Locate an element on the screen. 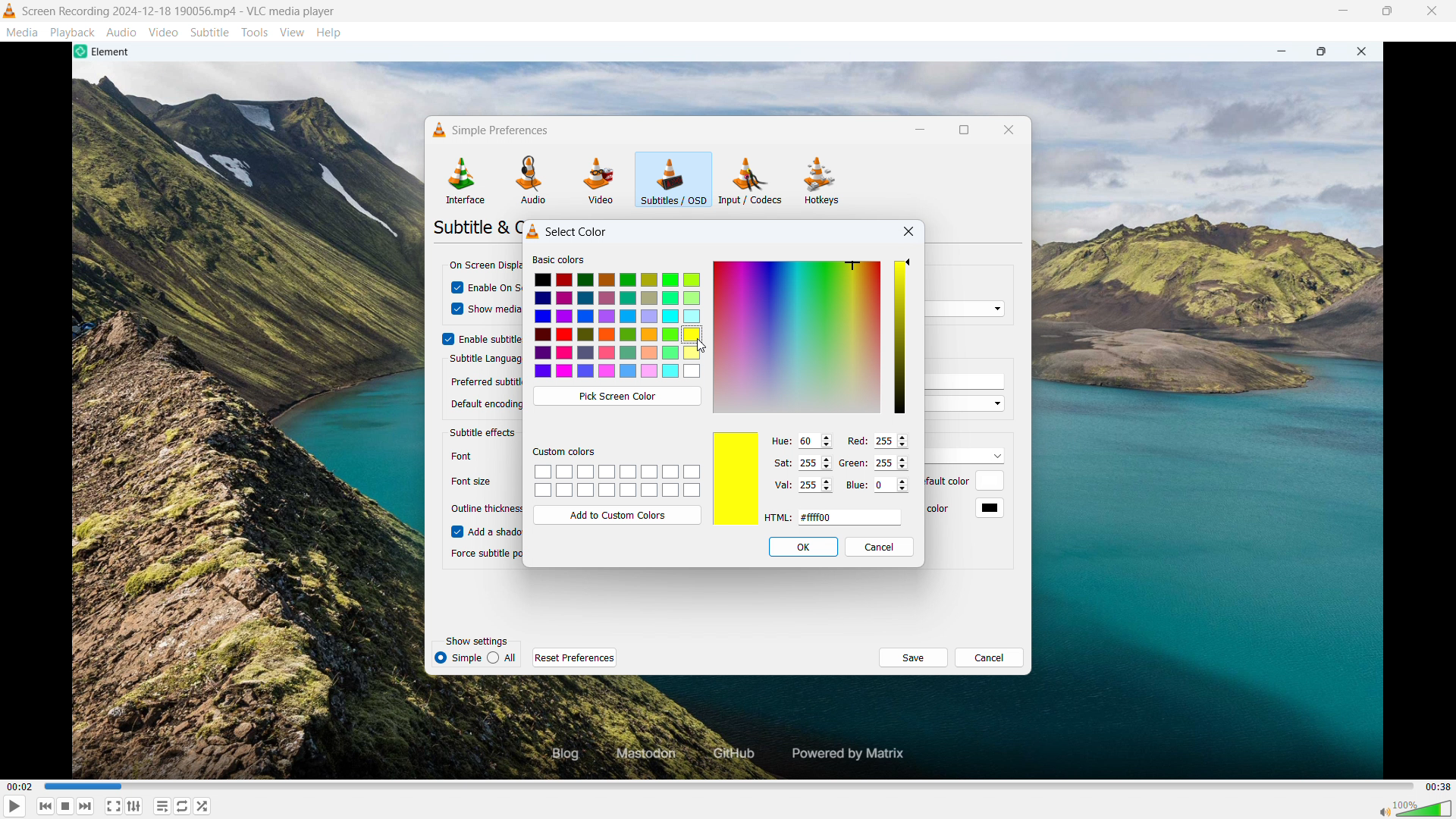  Close dialogue box  is located at coordinates (1009, 130).